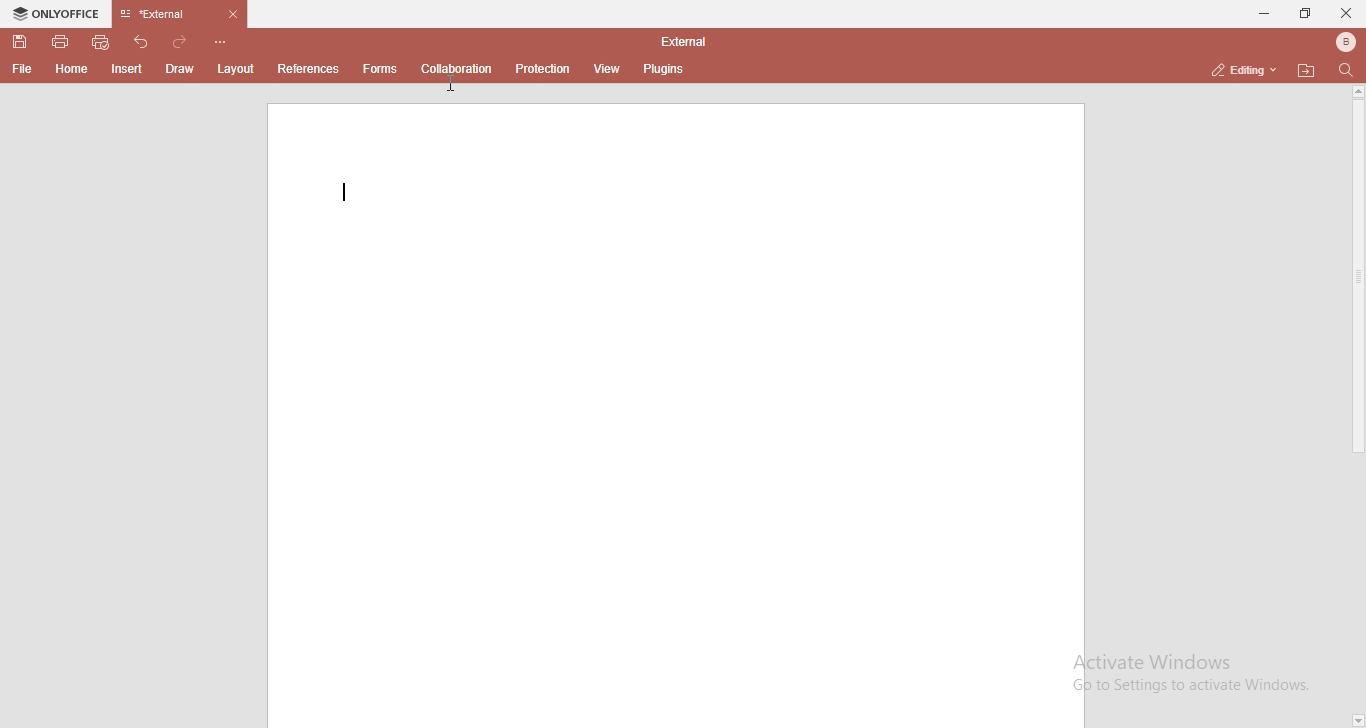  I want to click on find, so click(1348, 71).